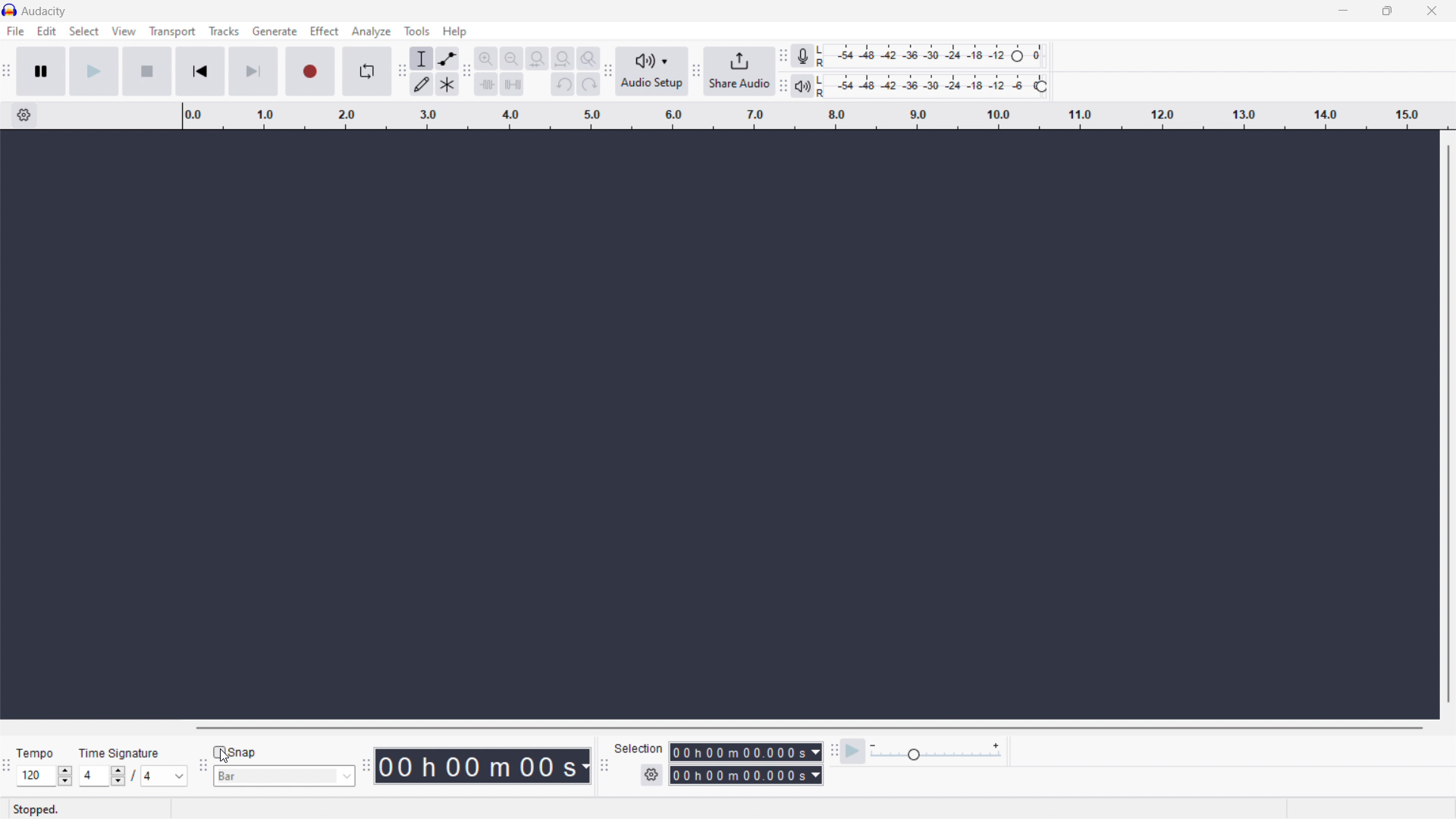  Describe the element at coordinates (116, 754) in the screenshot. I see `Time Signature` at that location.